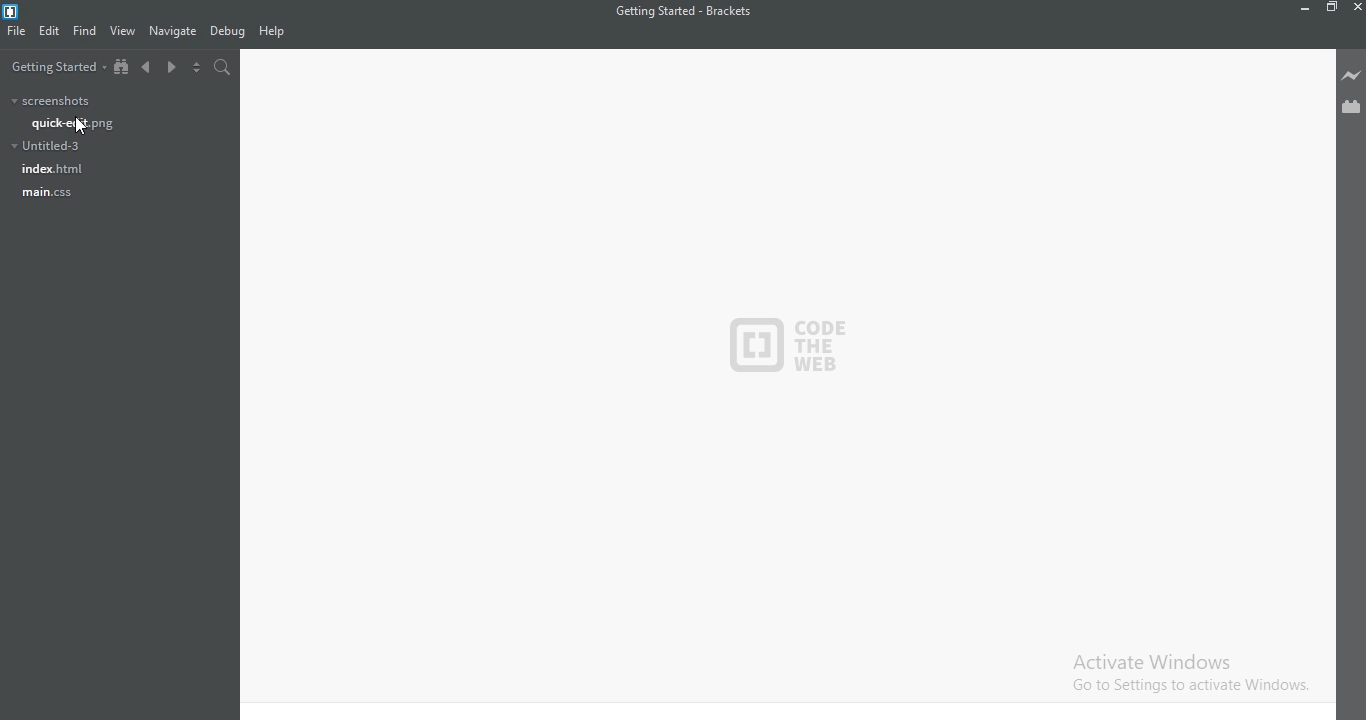 The width and height of the screenshot is (1366, 720). I want to click on livepreview, so click(1351, 74).